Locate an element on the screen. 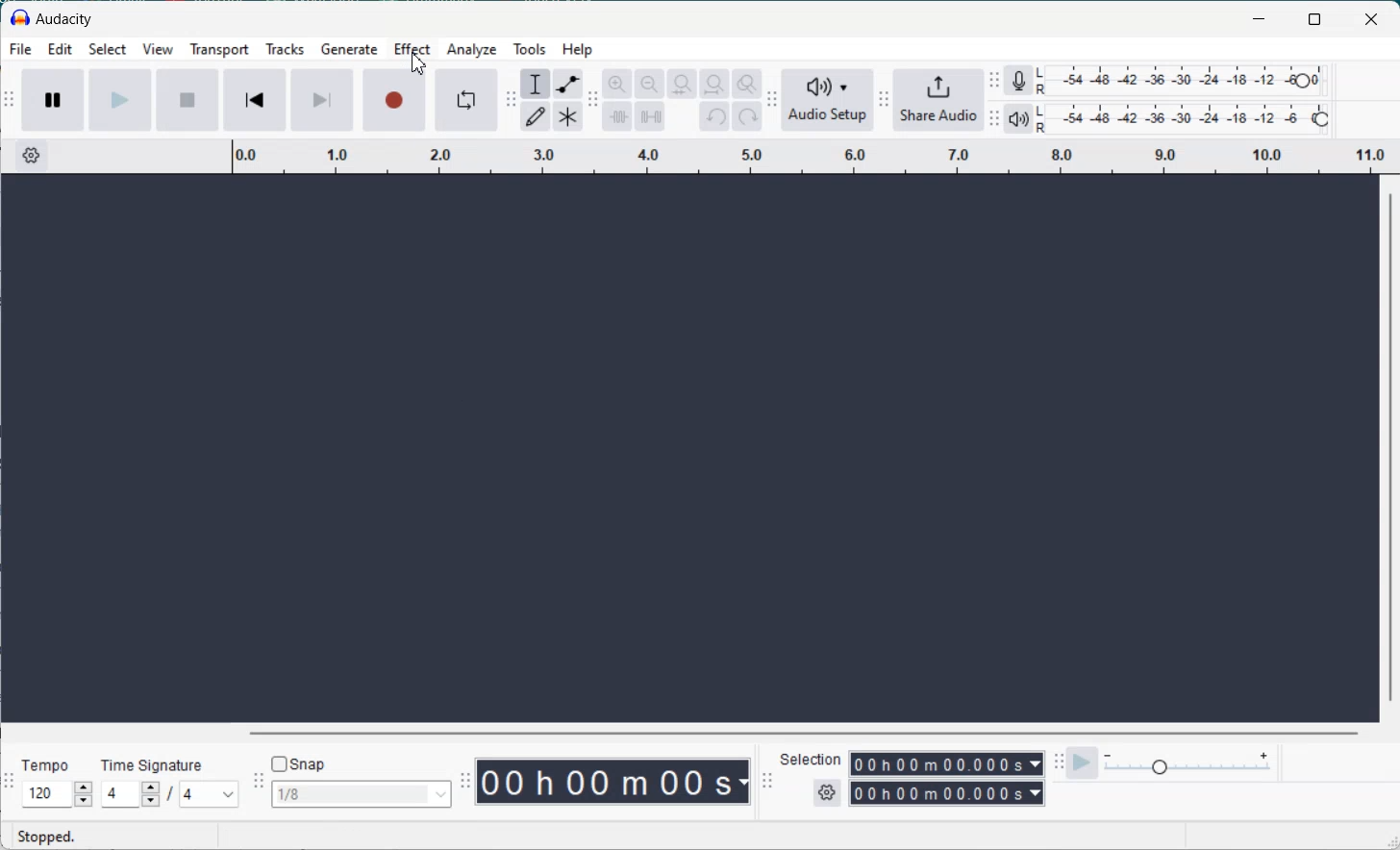 This screenshot has width=1400, height=850. Audacity selection toolbar is located at coordinates (768, 780).